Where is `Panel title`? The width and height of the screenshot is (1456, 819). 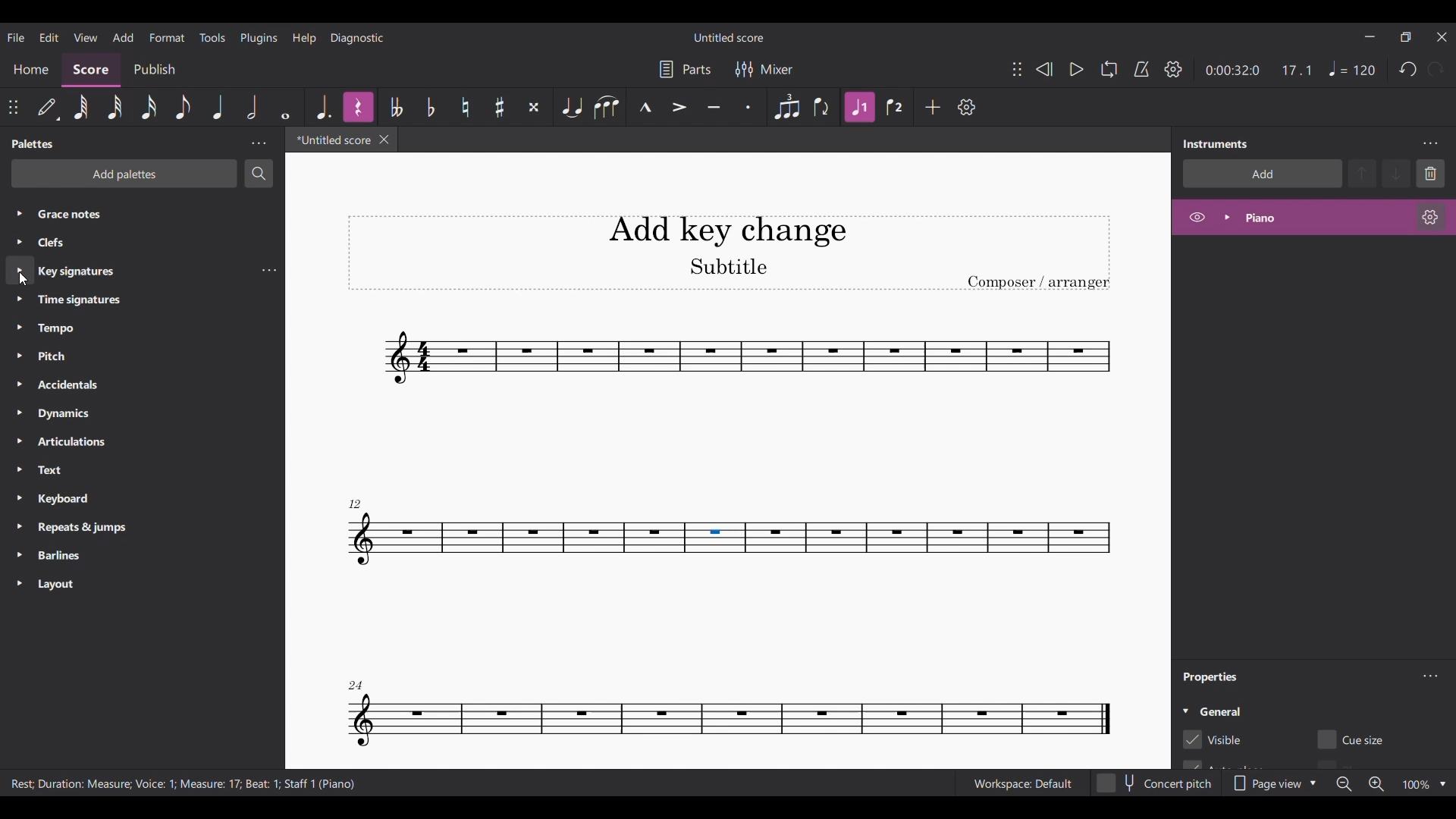 Panel title is located at coordinates (36, 143).